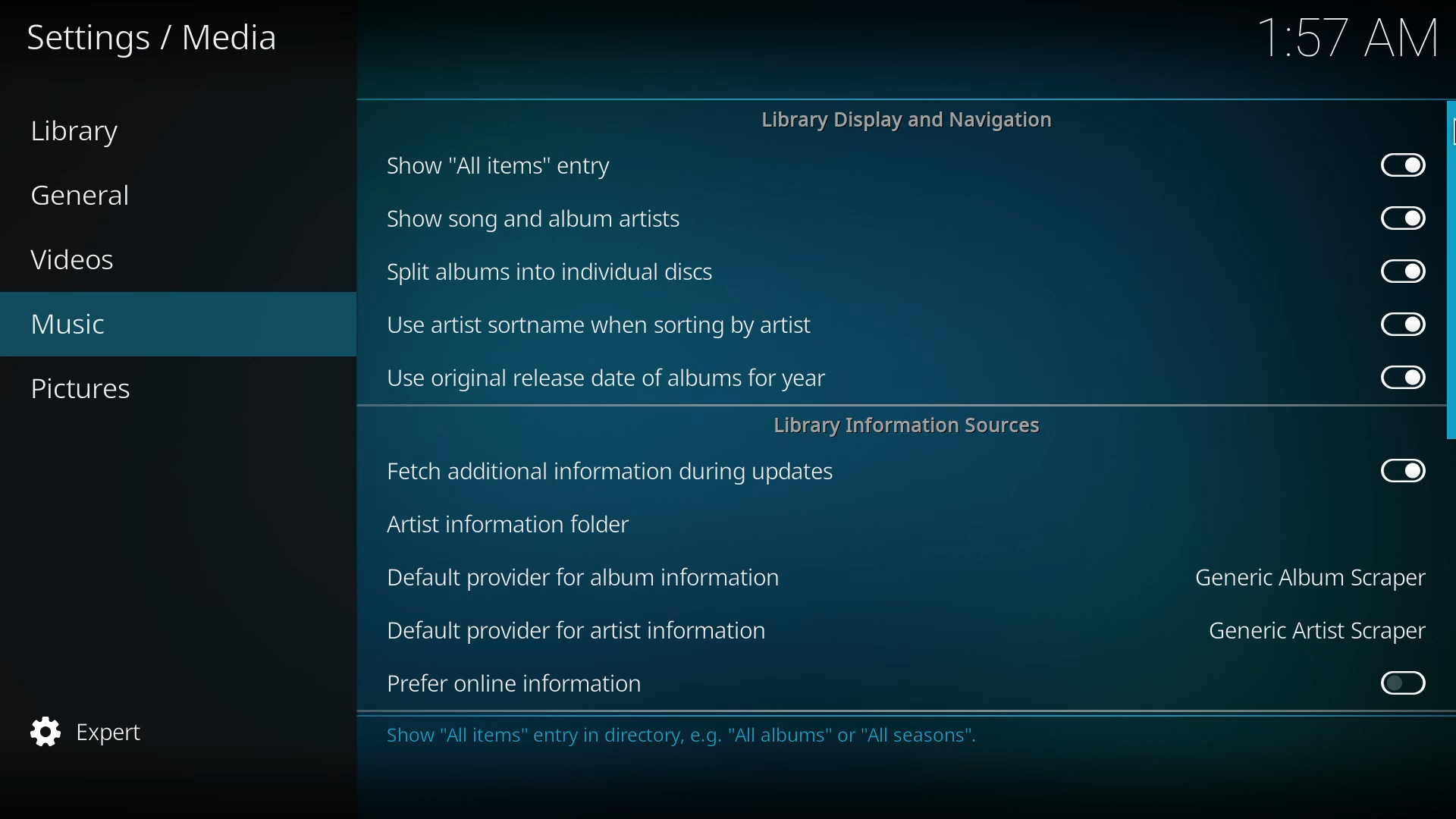 The height and width of the screenshot is (819, 1456). Describe the element at coordinates (520, 683) in the screenshot. I see `prefer online information` at that location.